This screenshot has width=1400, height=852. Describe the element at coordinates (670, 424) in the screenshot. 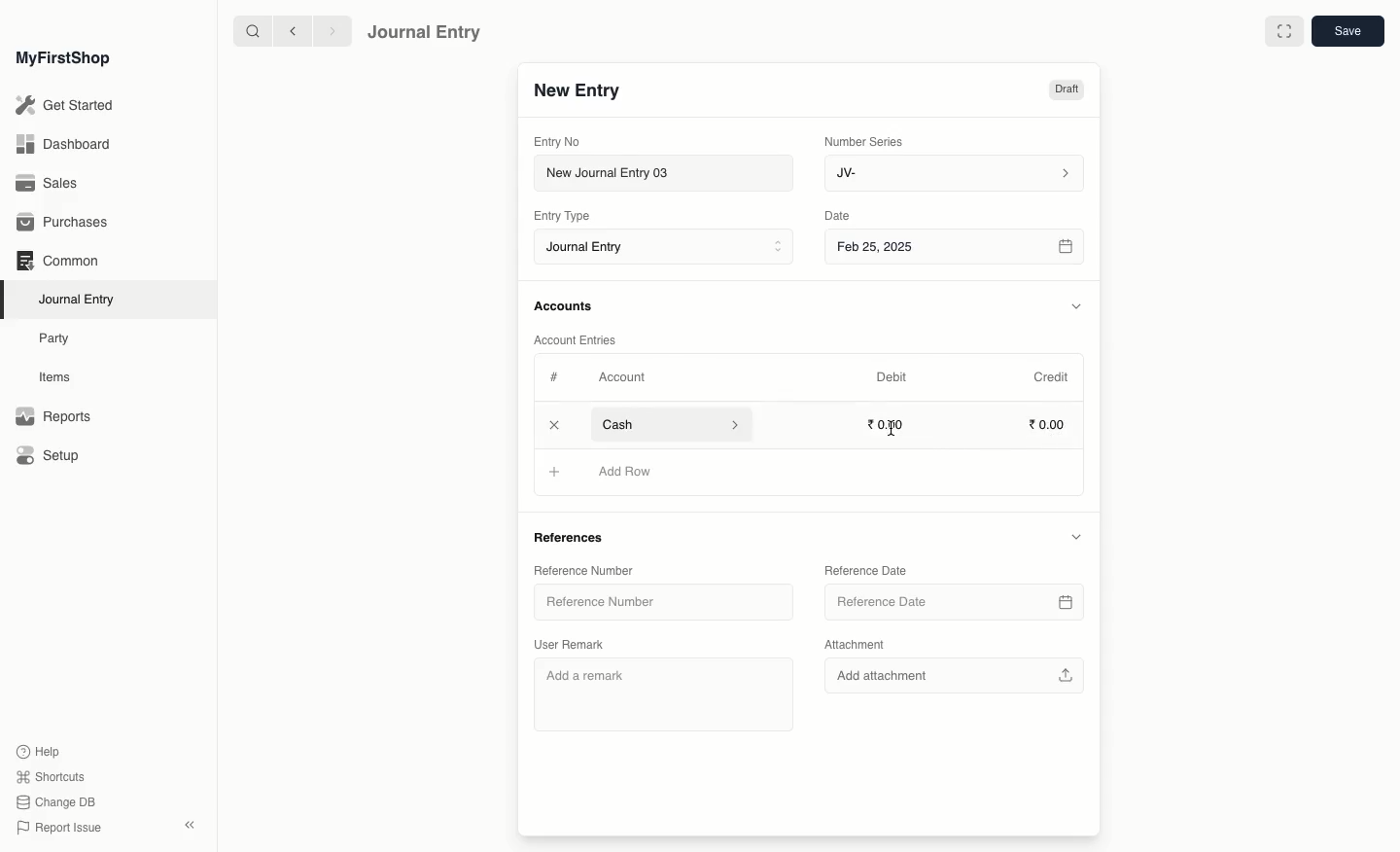

I see `Cash` at that location.